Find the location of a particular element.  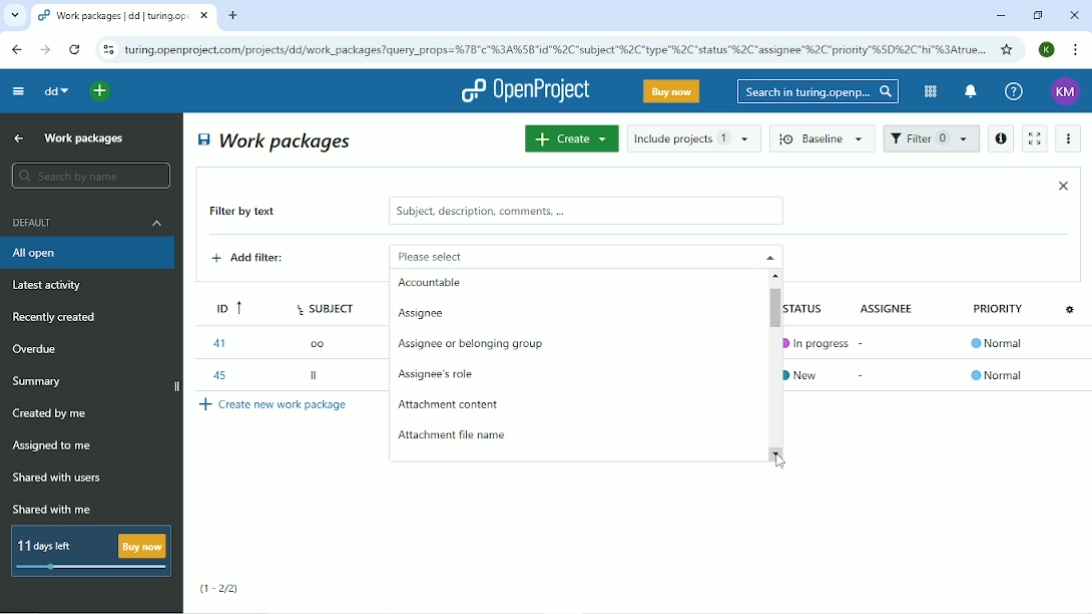

Overdue is located at coordinates (37, 350).